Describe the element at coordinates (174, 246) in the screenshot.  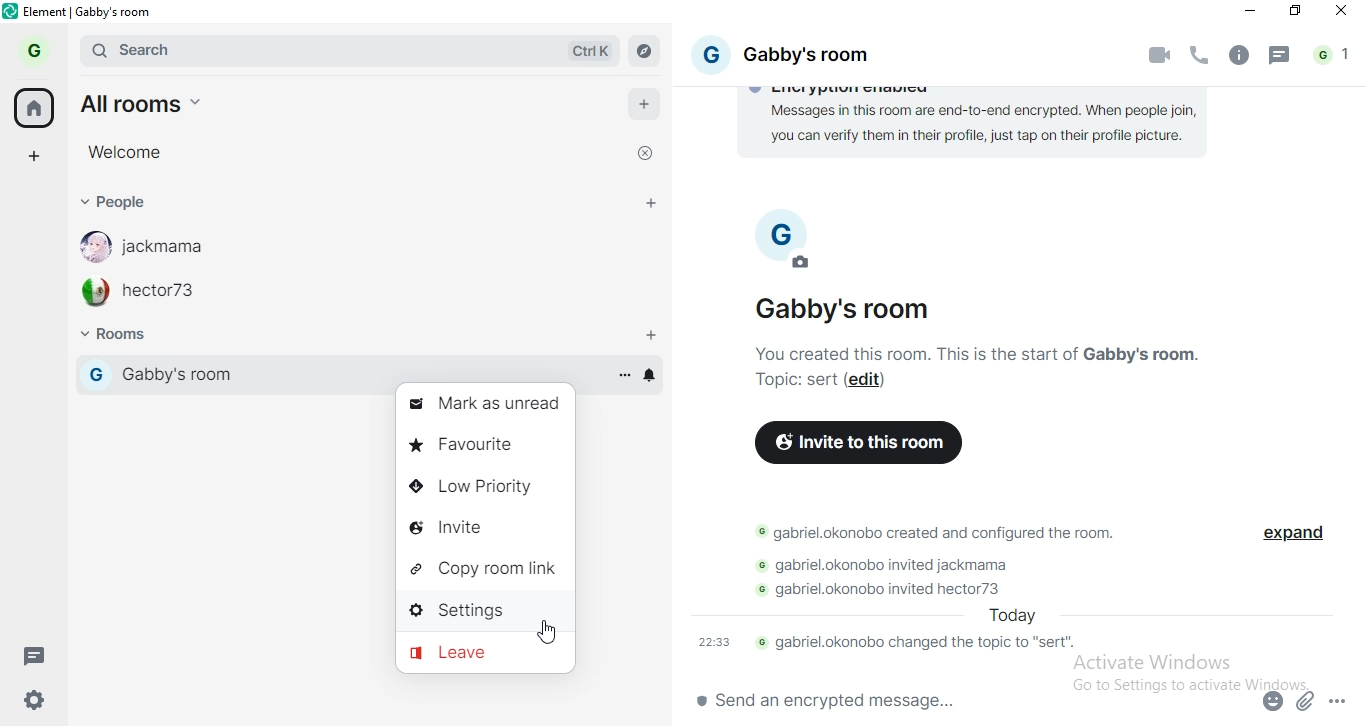
I see `jackmama` at that location.